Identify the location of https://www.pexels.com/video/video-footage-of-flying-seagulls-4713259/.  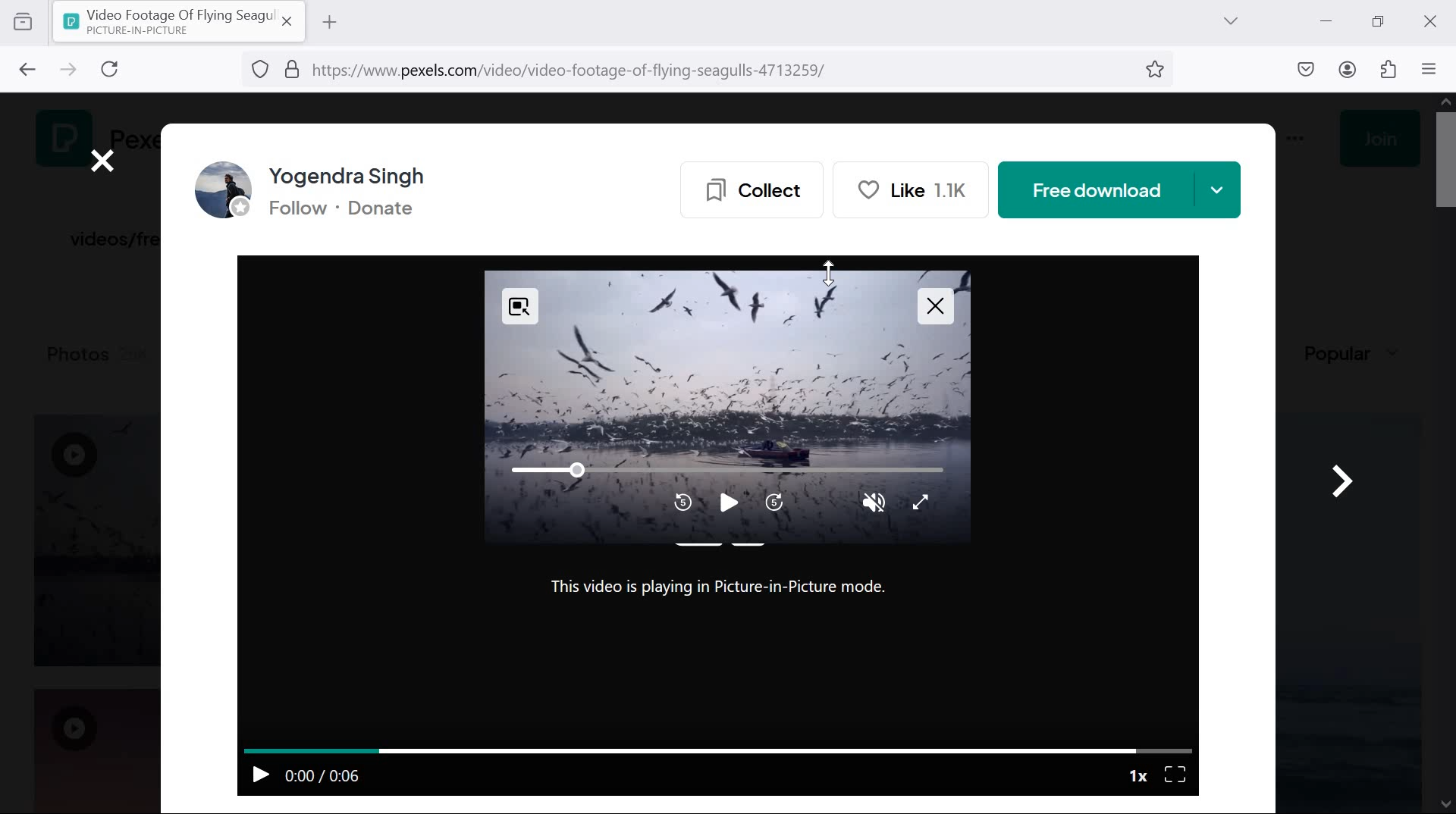
(586, 72).